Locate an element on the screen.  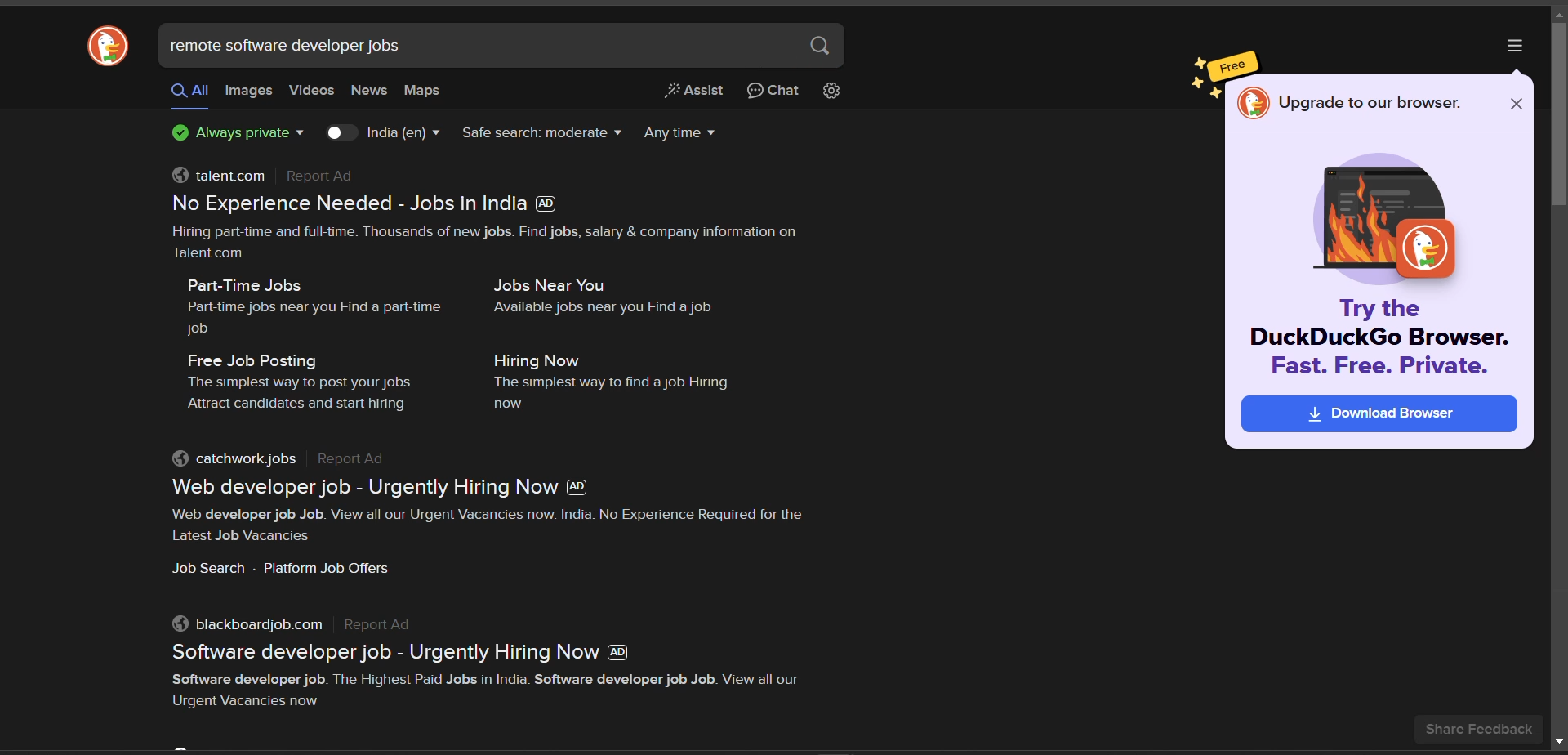
catchwork jobs is located at coordinates (234, 458).